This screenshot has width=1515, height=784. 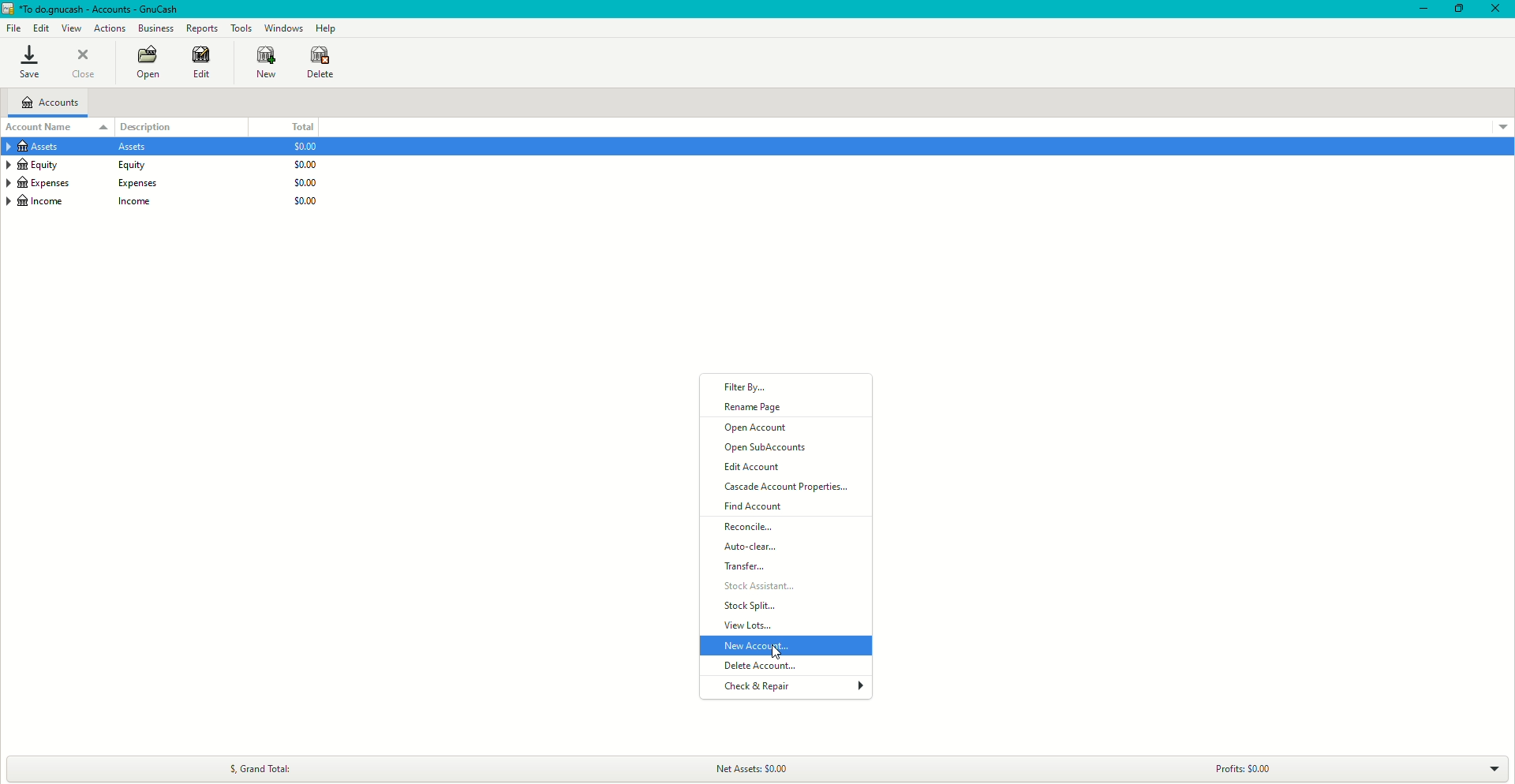 I want to click on Grand Total, so click(x=258, y=766).